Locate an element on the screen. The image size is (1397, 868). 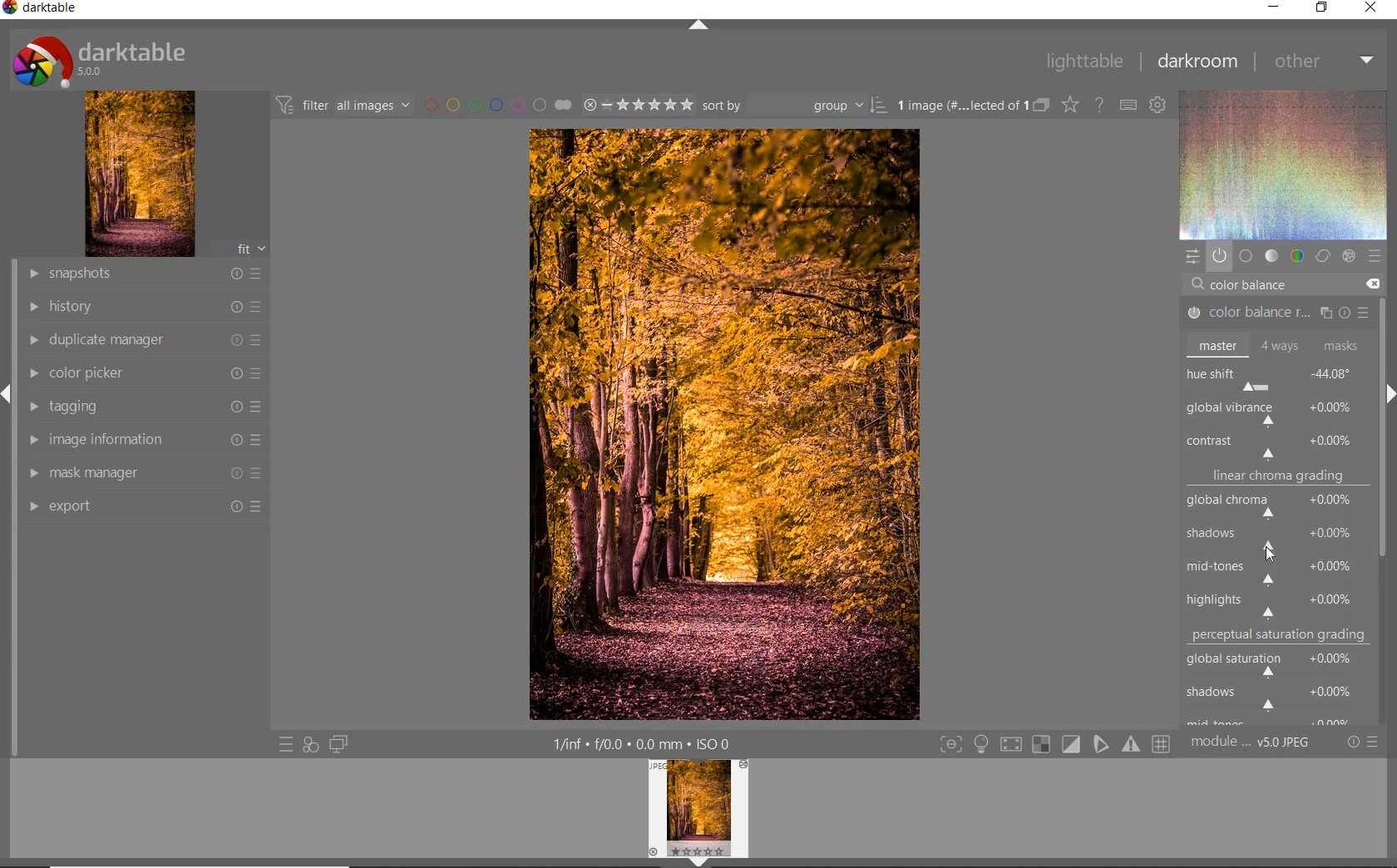
export is located at coordinates (146, 506).